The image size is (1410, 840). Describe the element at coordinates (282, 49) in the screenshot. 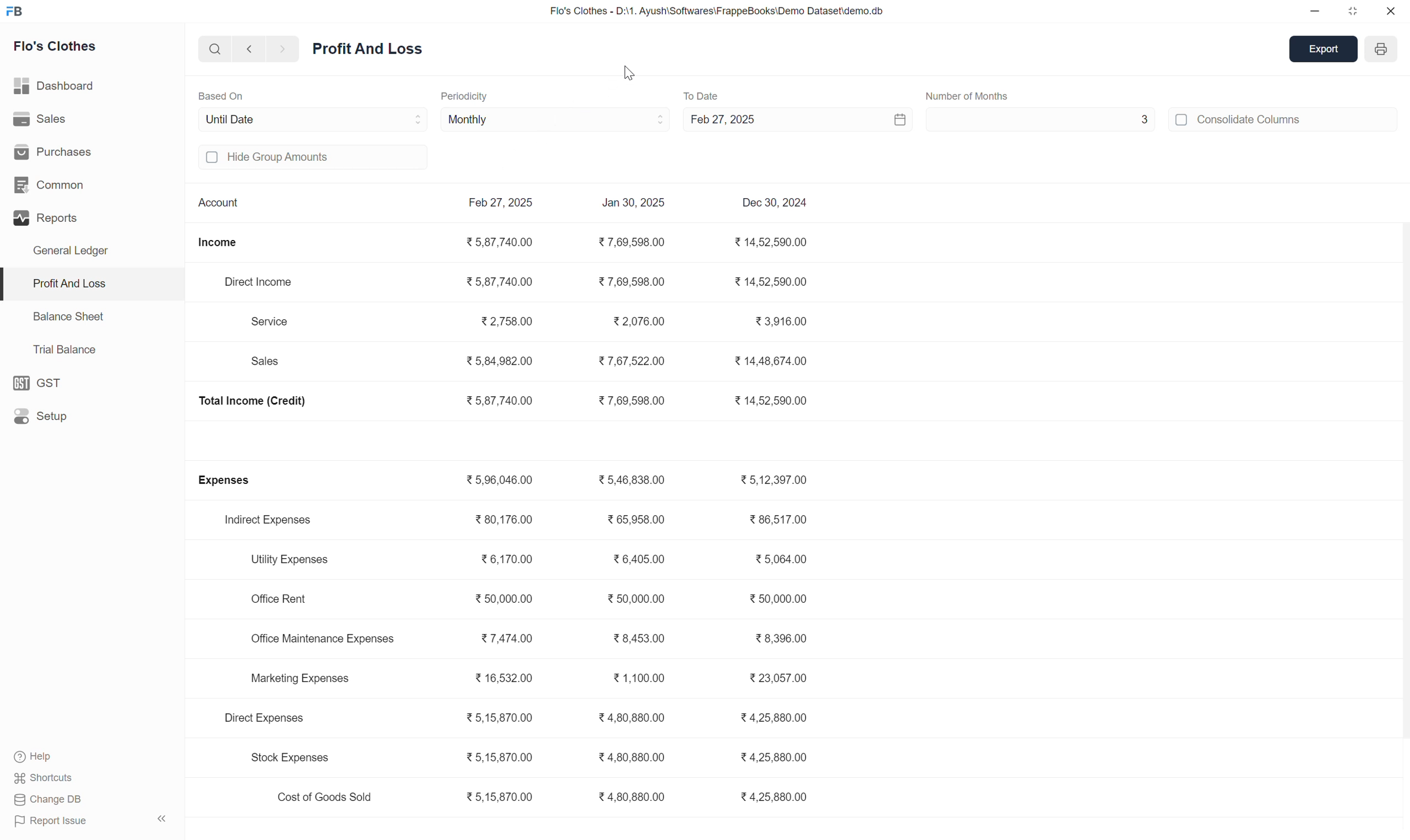

I see `next` at that location.